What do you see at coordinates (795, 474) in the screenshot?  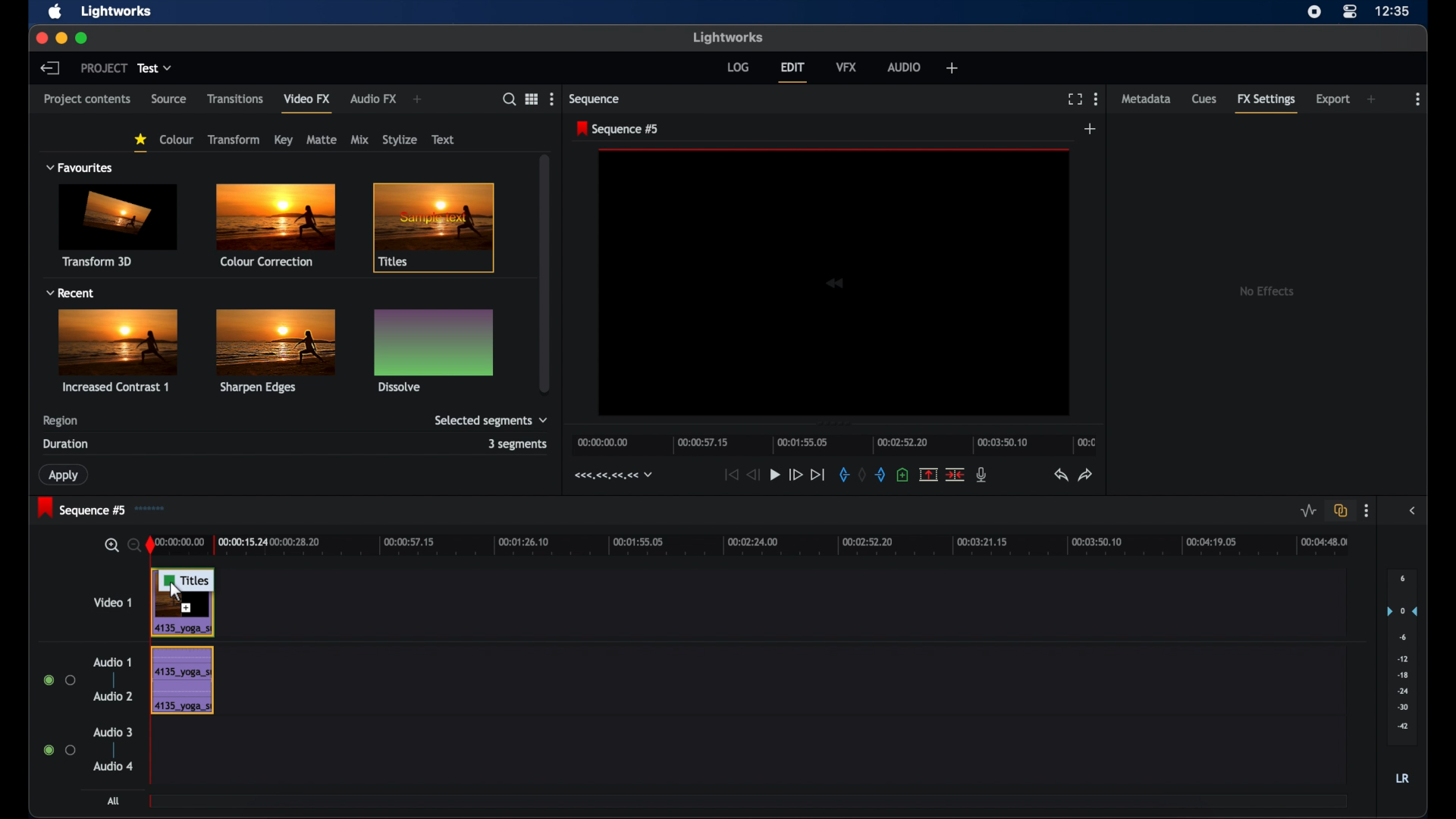 I see `fast forward` at bounding box center [795, 474].